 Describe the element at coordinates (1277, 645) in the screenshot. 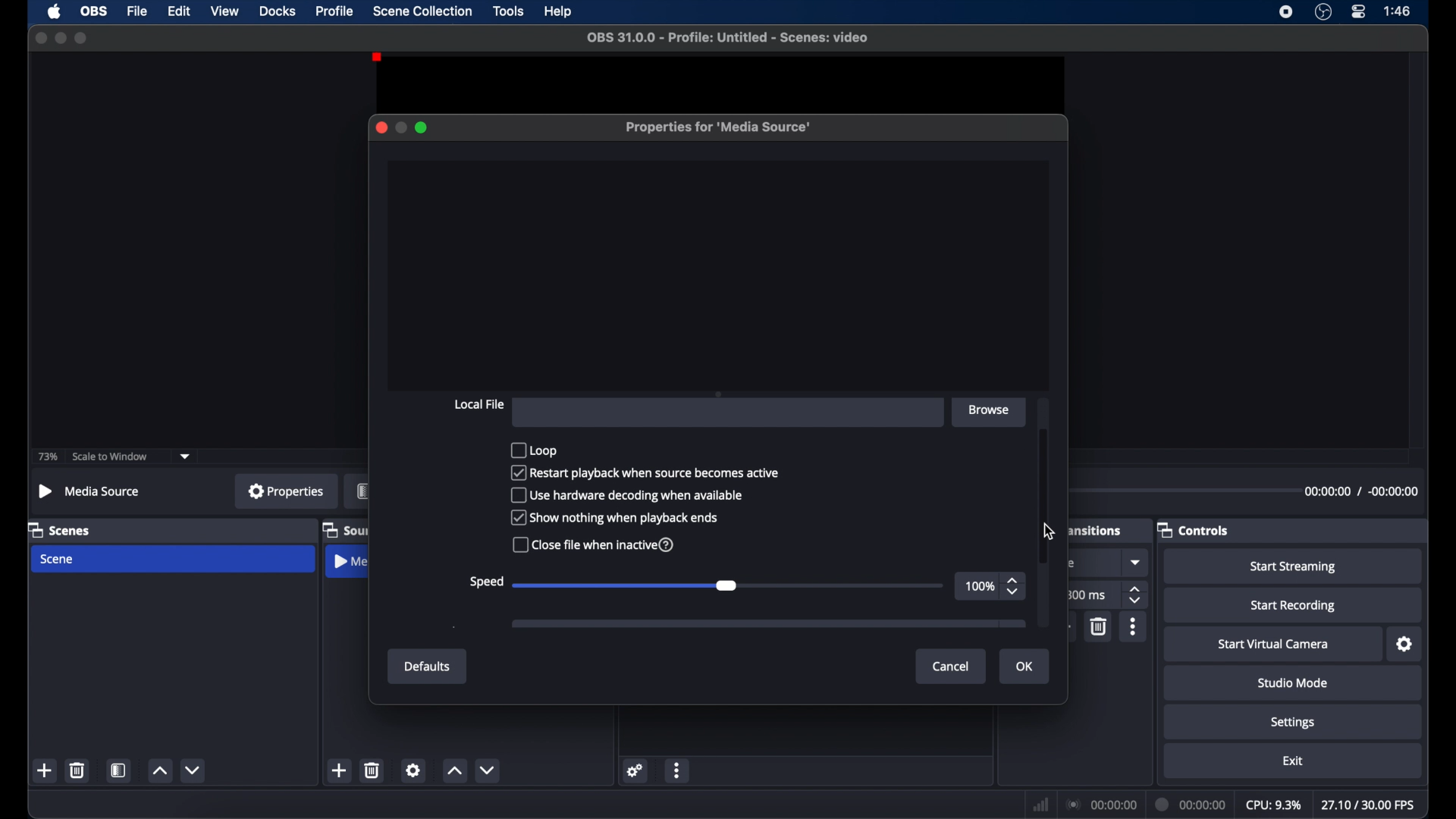

I see `start virtual camera` at that location.